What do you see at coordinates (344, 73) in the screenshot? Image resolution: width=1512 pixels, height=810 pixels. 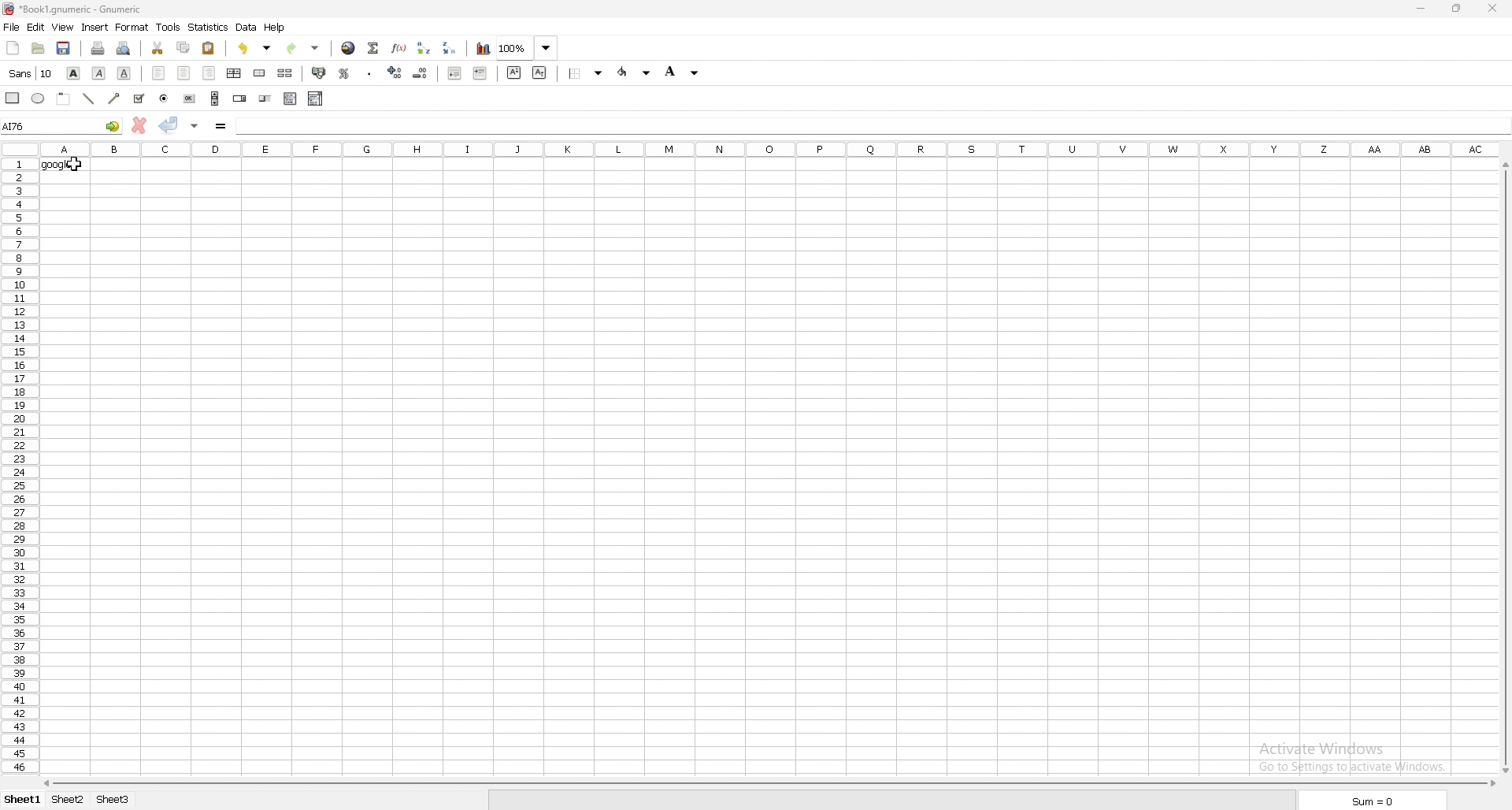 I see `percentage` at bounding box center [344, 73].